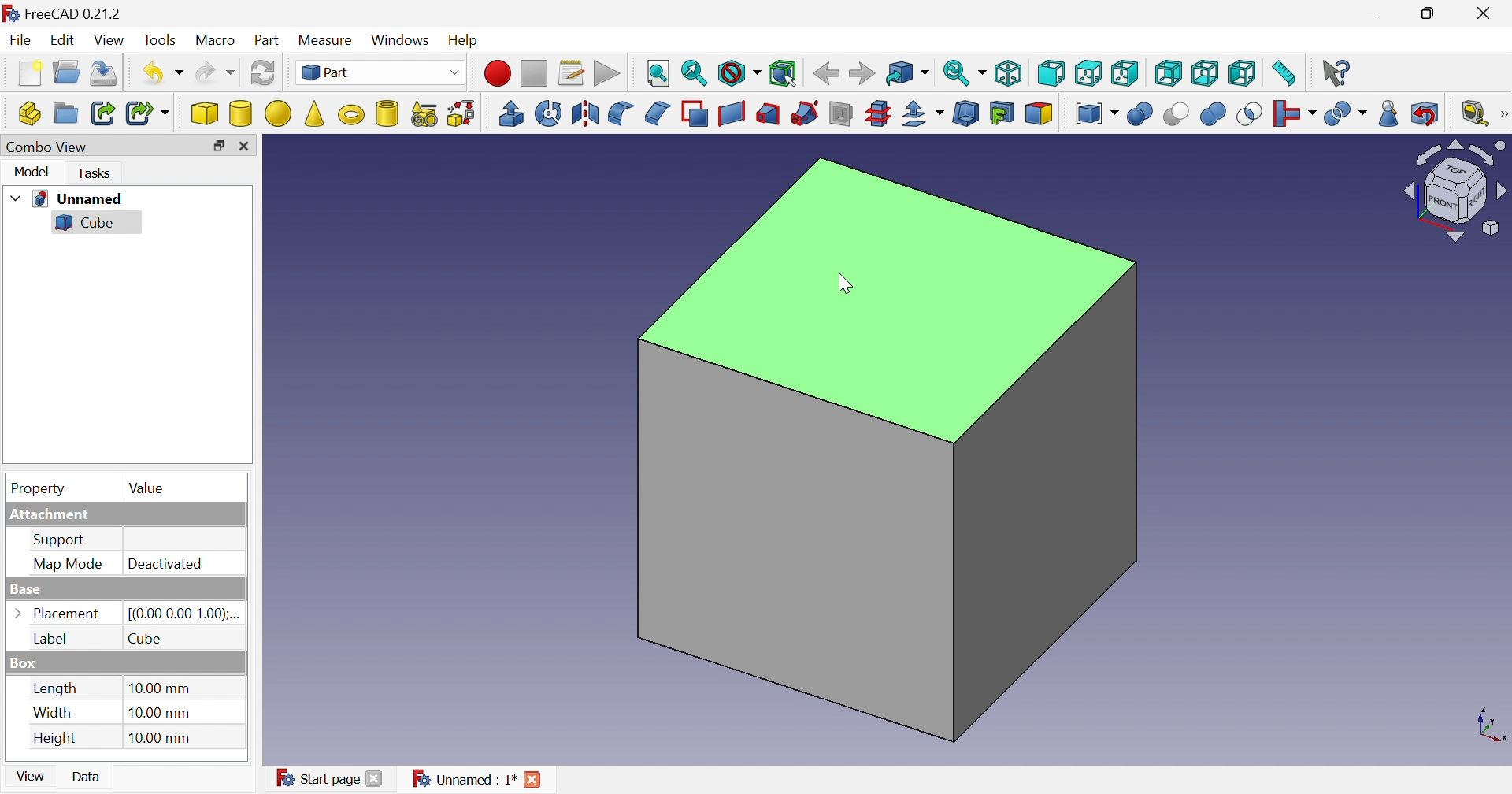 The width and height of the screenshot is (1512, 794). What do you see at coordinates (908, 72) in the screenshot?
I see `Got to linked object` at bounding box center [908, 72].